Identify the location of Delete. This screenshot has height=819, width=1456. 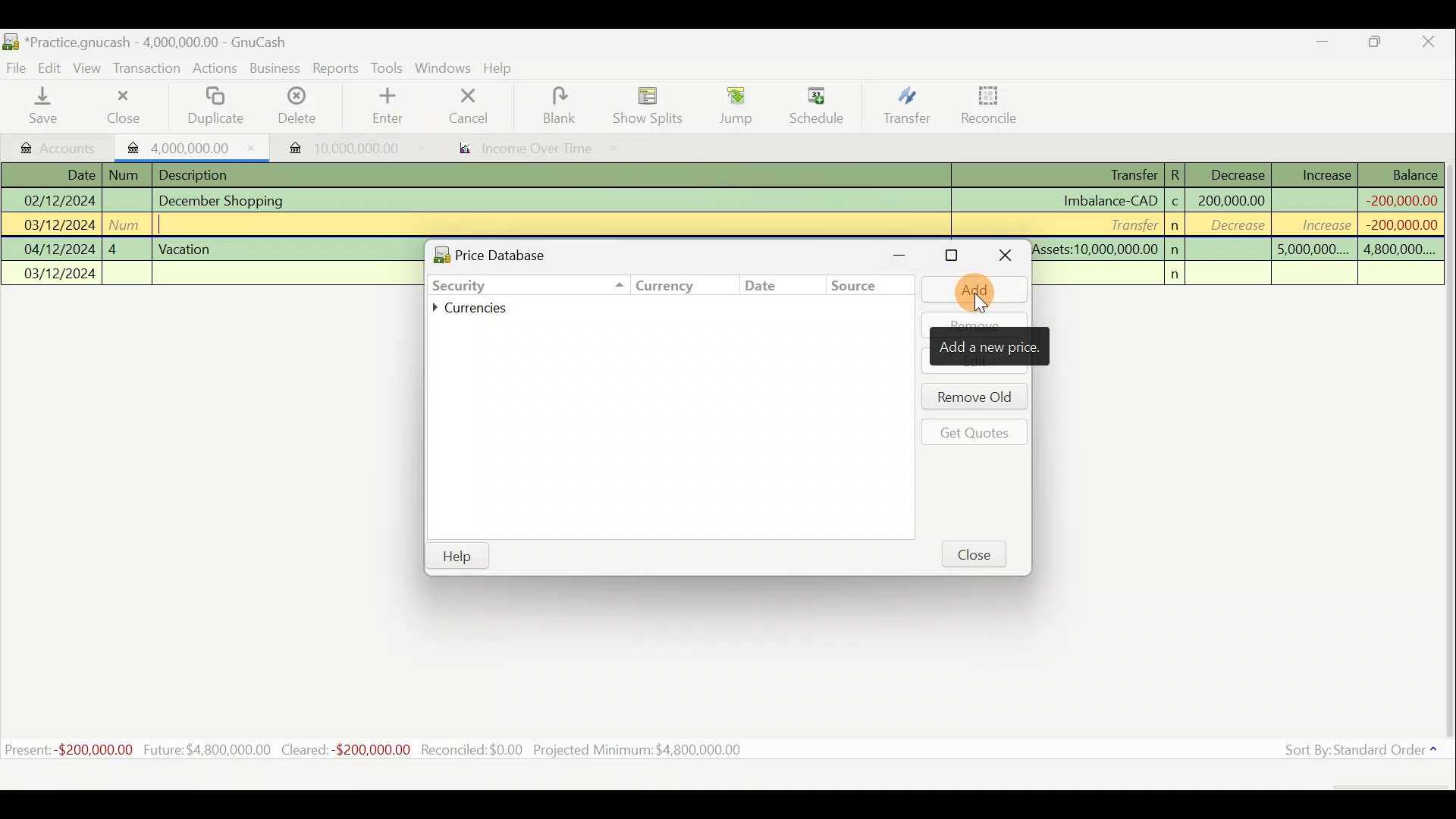
(298, 106).